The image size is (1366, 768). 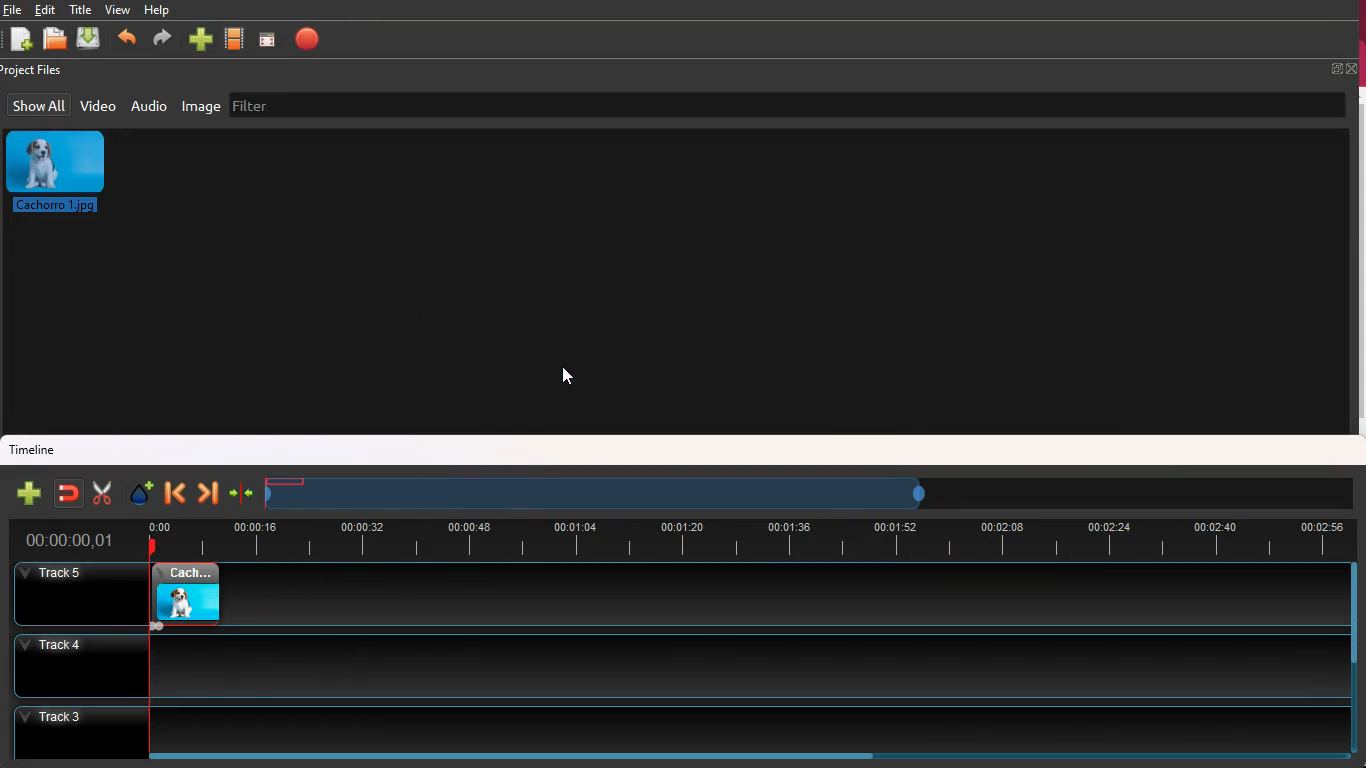 What do you see at coordinates (271, 39) in the screenshot?
I see `screen` at bounding box center [271, 39].